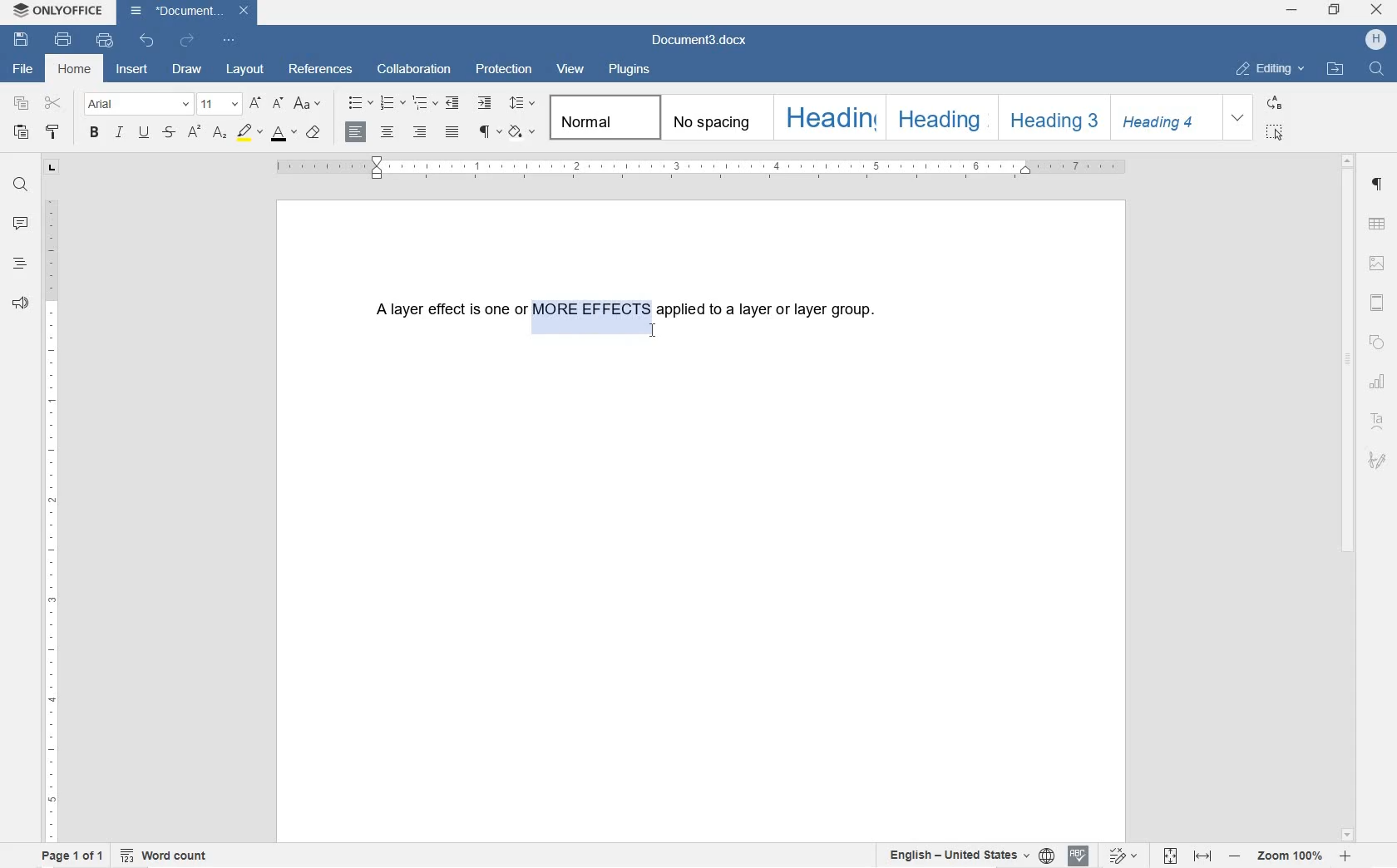  I want to click on ALIGN LEFT, so click(353, 131).